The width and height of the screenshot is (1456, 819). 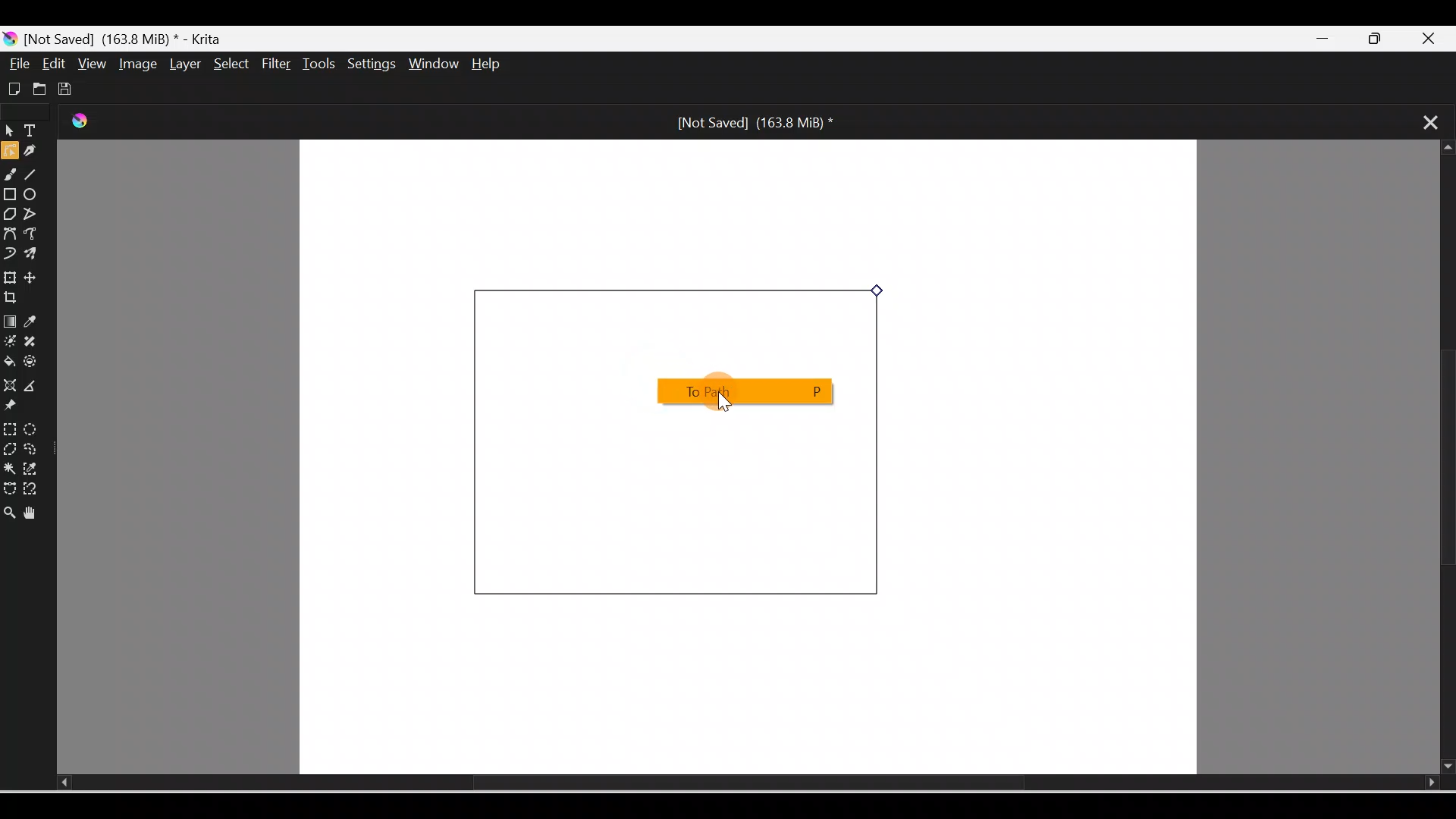 What do you see at coordinates (9, 252) in the screenshot?
I see `Dynamic brush tool` at bounding box center [9, 252].